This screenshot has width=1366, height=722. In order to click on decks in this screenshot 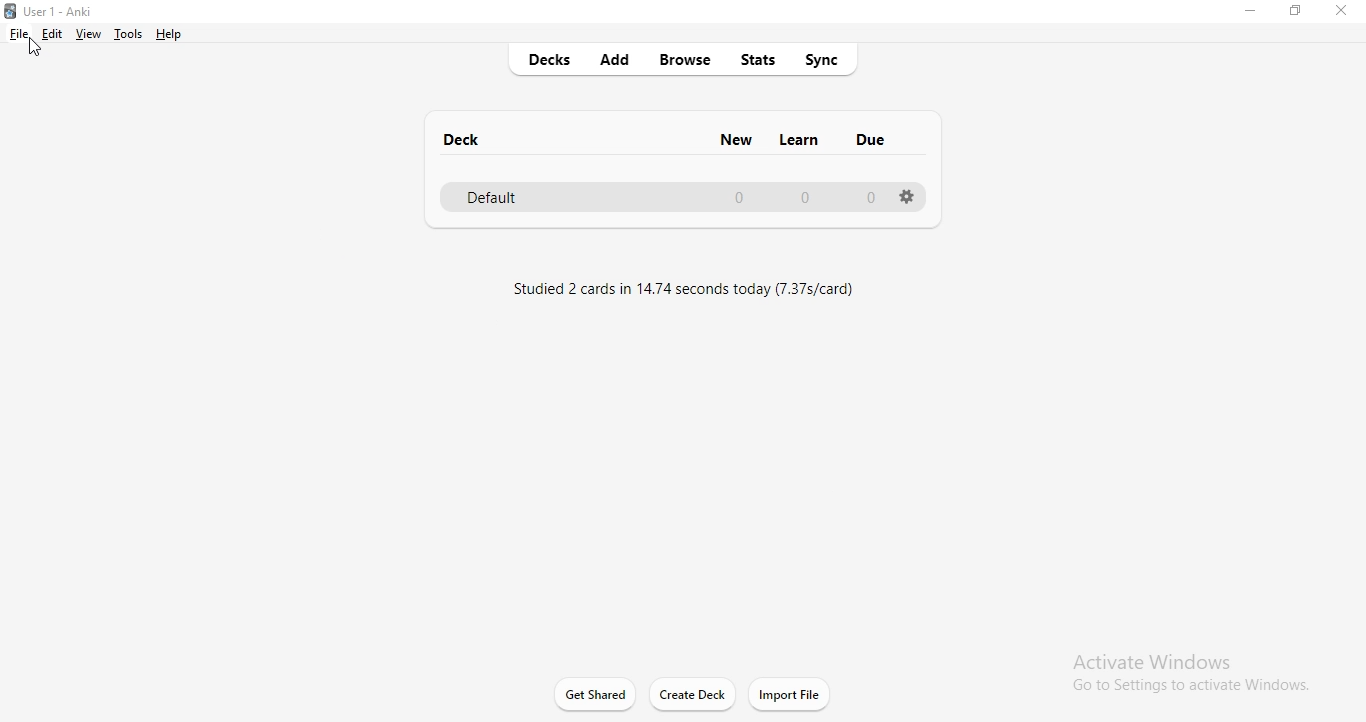, I will do `click(556, 60)`.